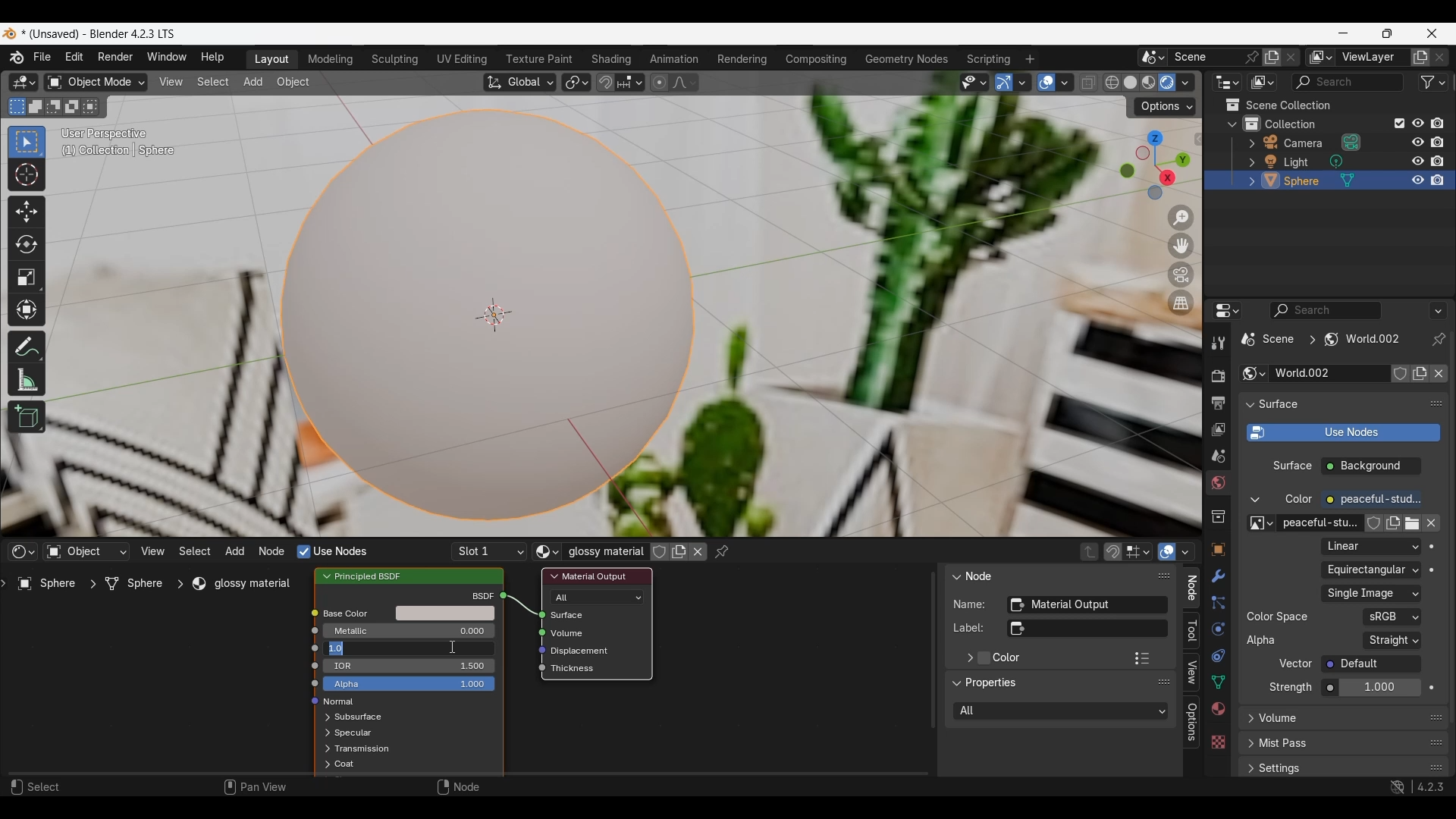 This screenshot has width=1456, height=819. Describe the element at coordinates (1325, 310) in the screenshot. I see `Display filter` at that location.